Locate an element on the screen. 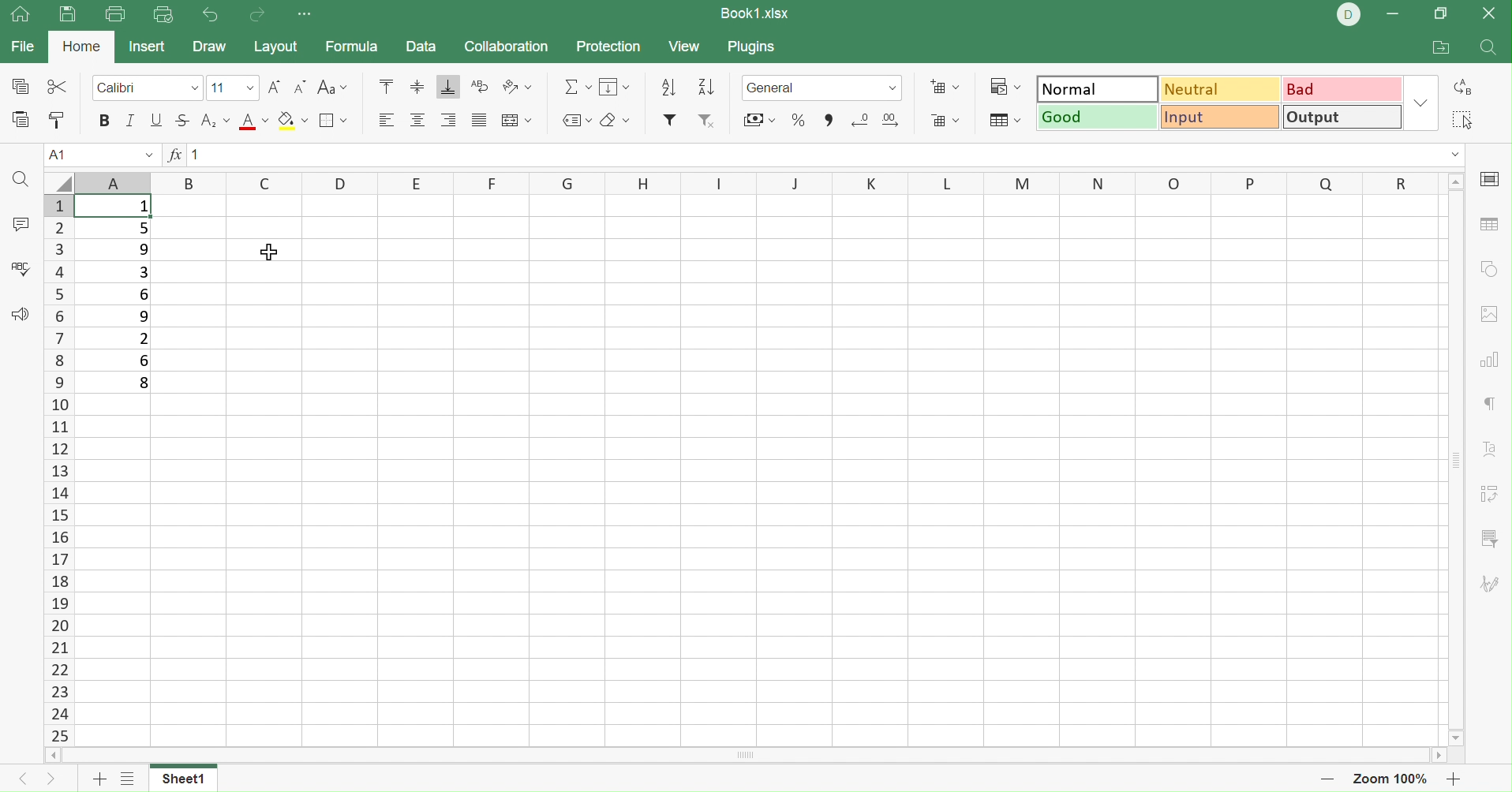 The image size is (1512, 792). Drop down is located at coordinates (1456, 155).